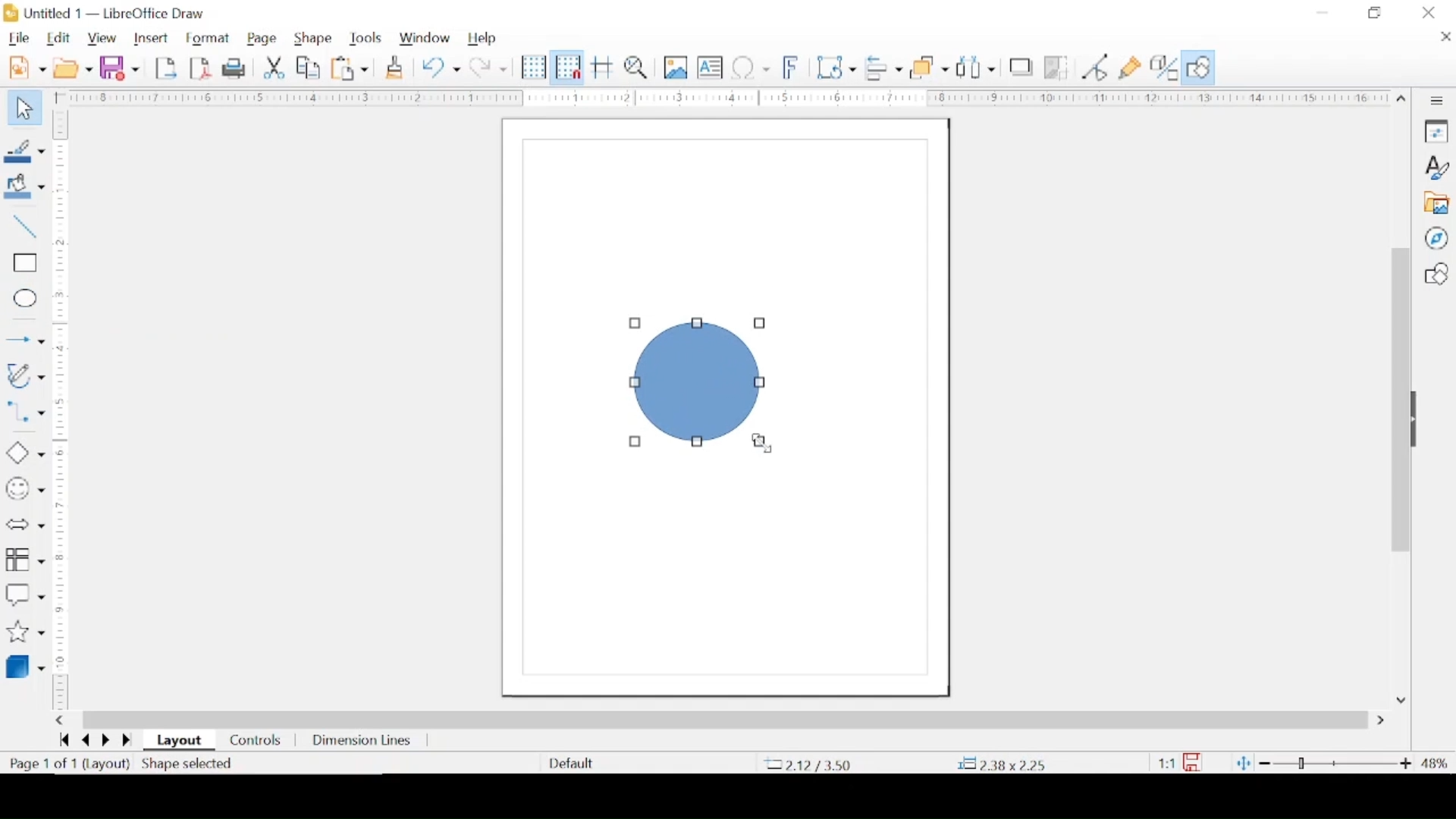 The image size is (1456, 819). Describe the element at coordinates (1200, 67) in the screenshot. I see `show draw functions` at that location.